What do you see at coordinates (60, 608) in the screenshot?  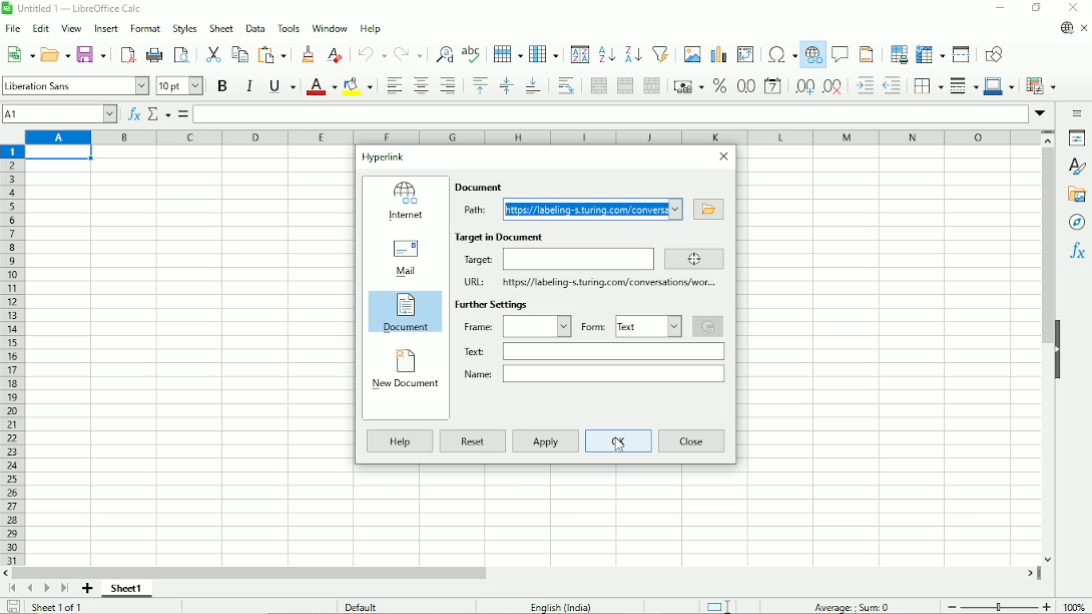 I see `Sheet 1 of 1` at bounding box center [60, 608].